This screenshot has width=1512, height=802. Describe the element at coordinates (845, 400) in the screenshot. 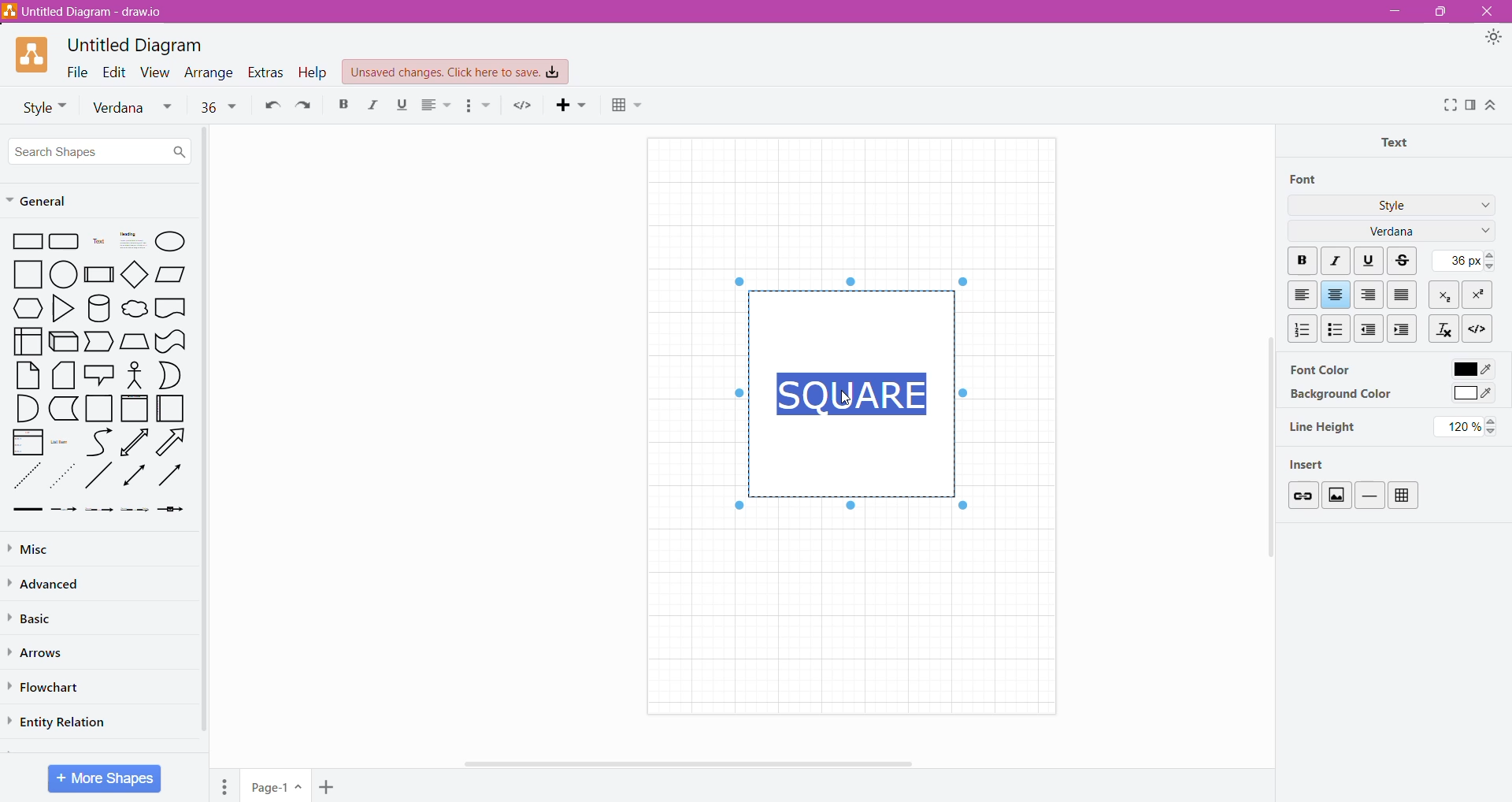

I see `Cursor on text frame` at that location.